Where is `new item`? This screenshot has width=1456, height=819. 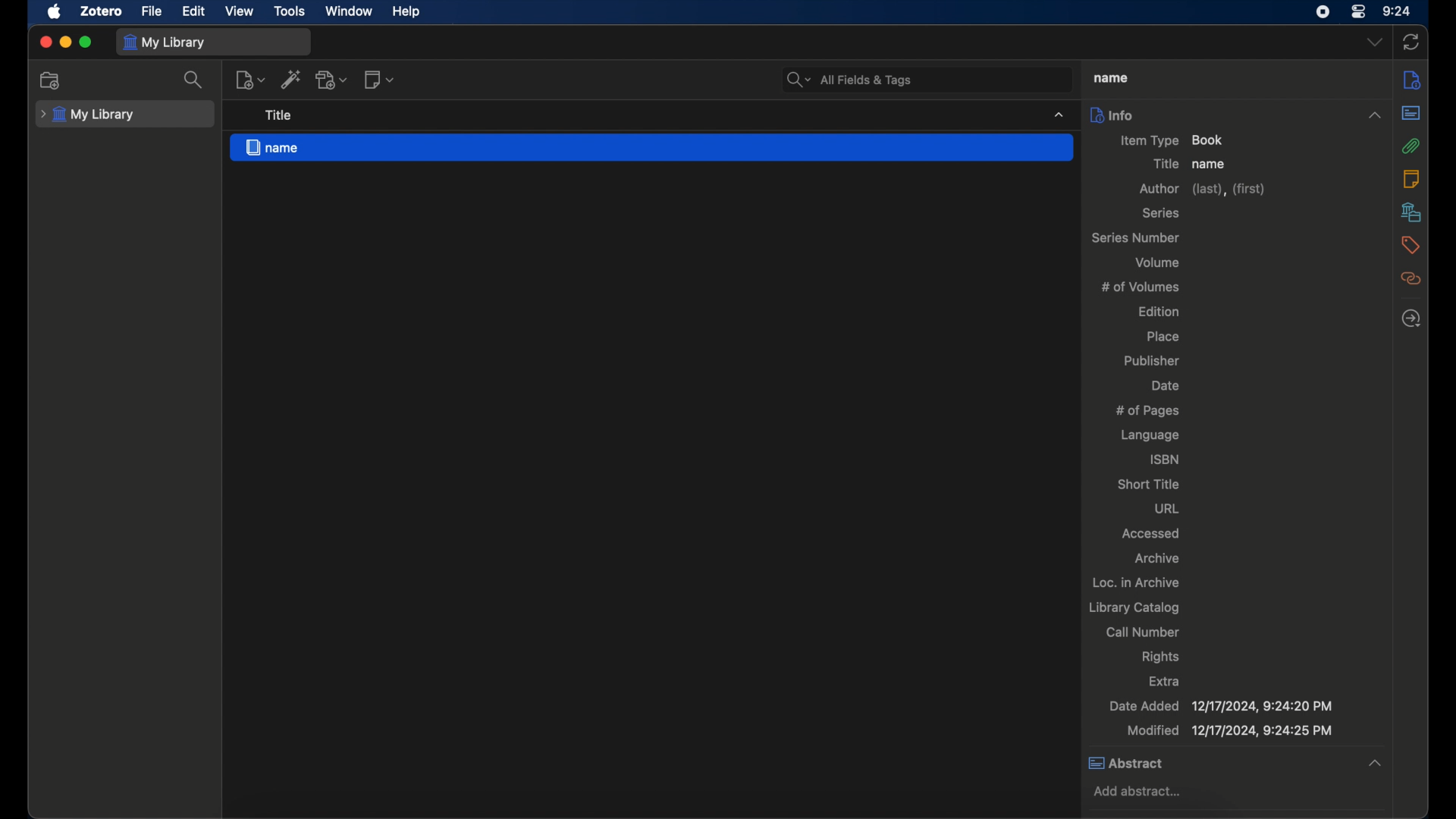
new item is located at coordinates (250, 81).